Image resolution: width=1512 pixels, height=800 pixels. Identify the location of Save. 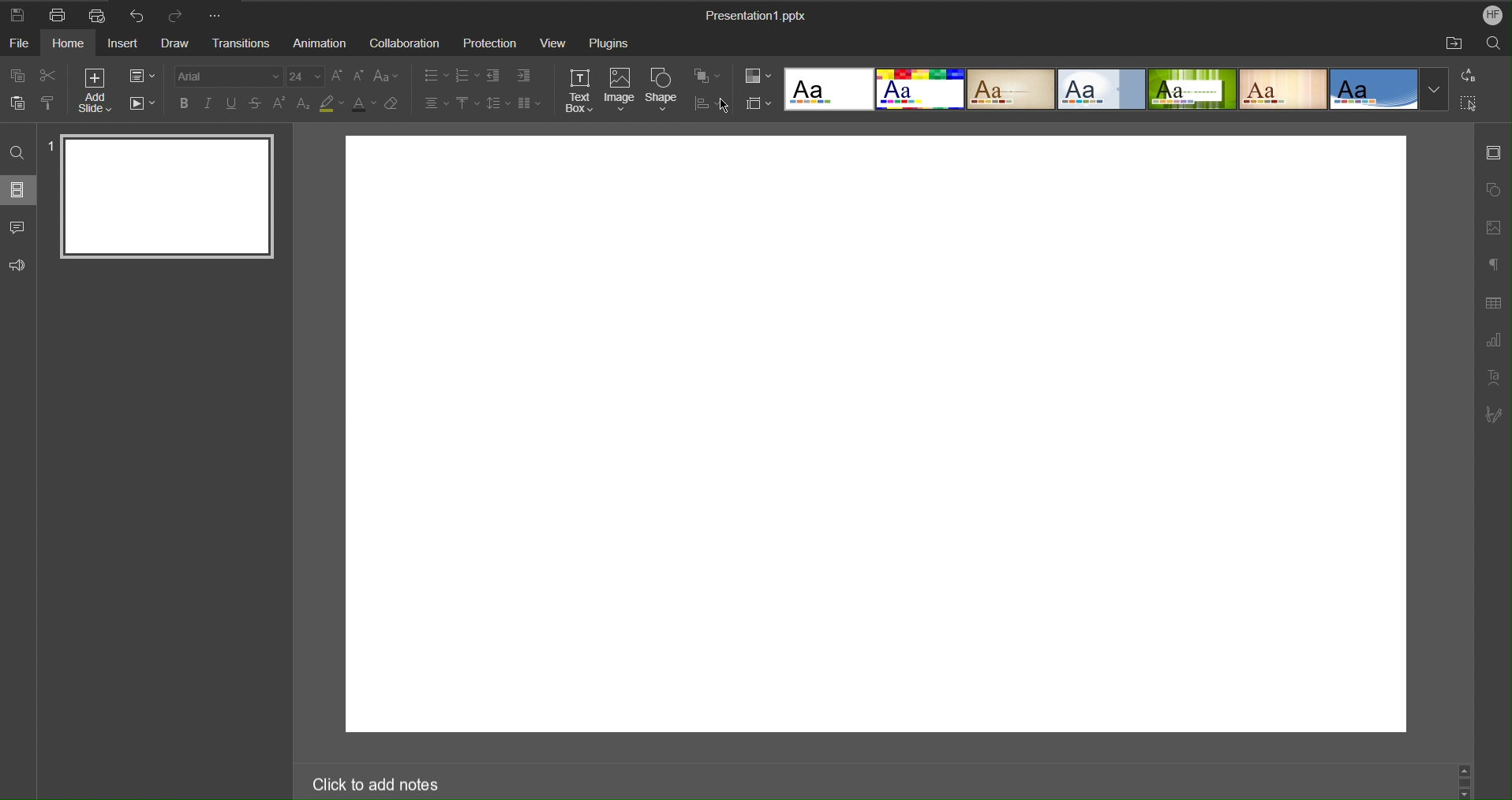
(17, 14).